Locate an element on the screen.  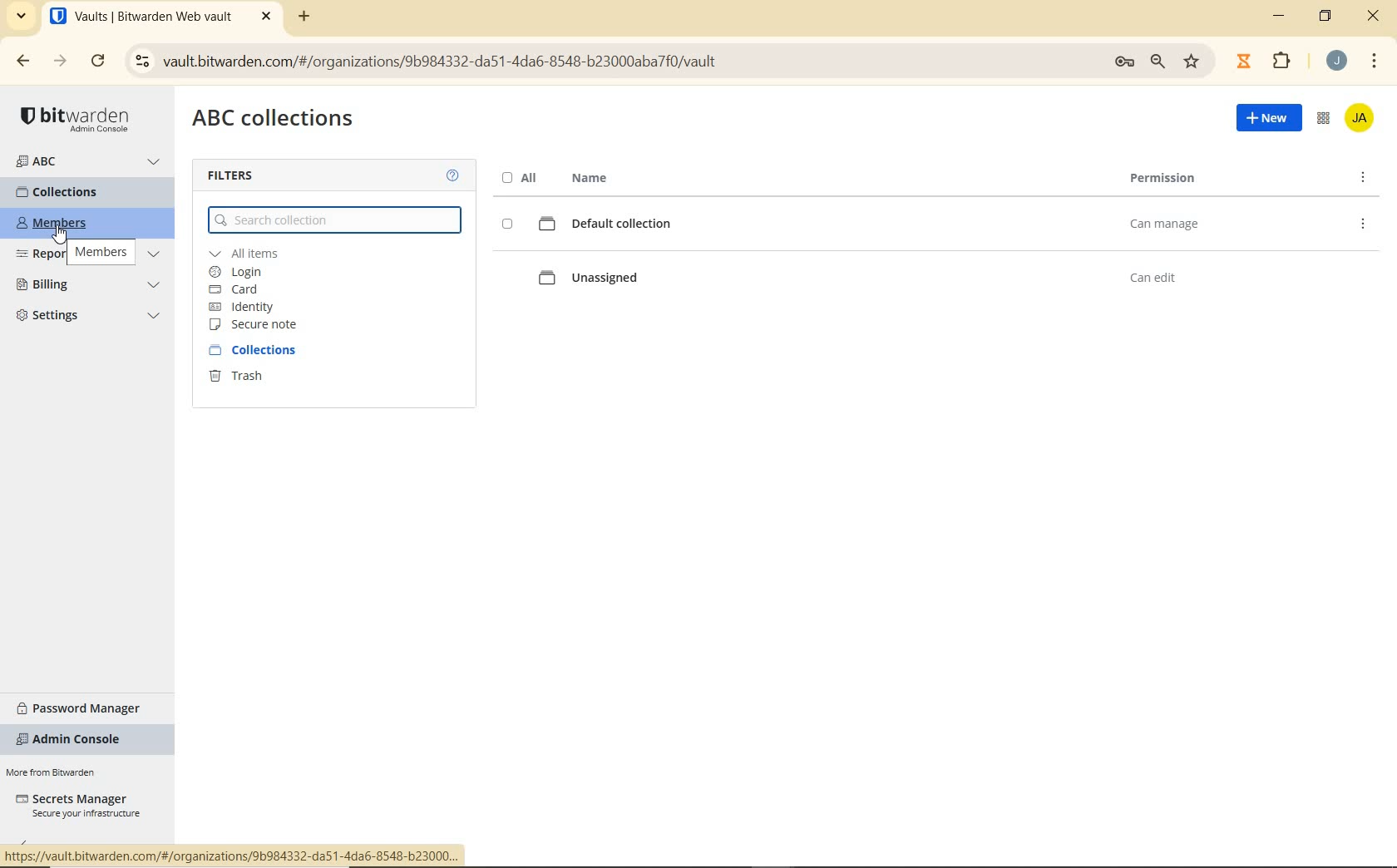
ACCOUNT NAME is located at coordinates (1362, 120).